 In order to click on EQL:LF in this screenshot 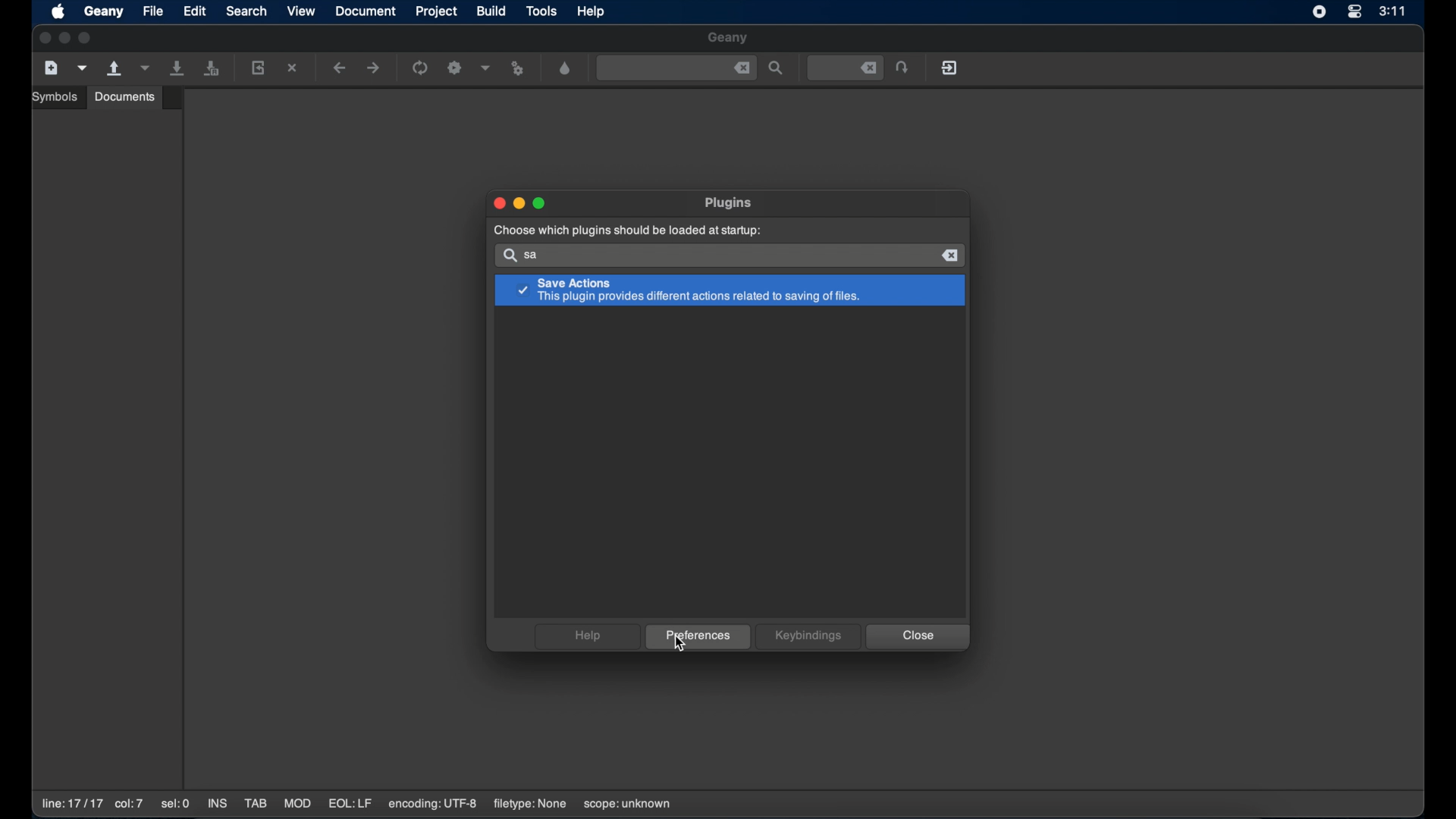, I will do `click(350, 804)`.